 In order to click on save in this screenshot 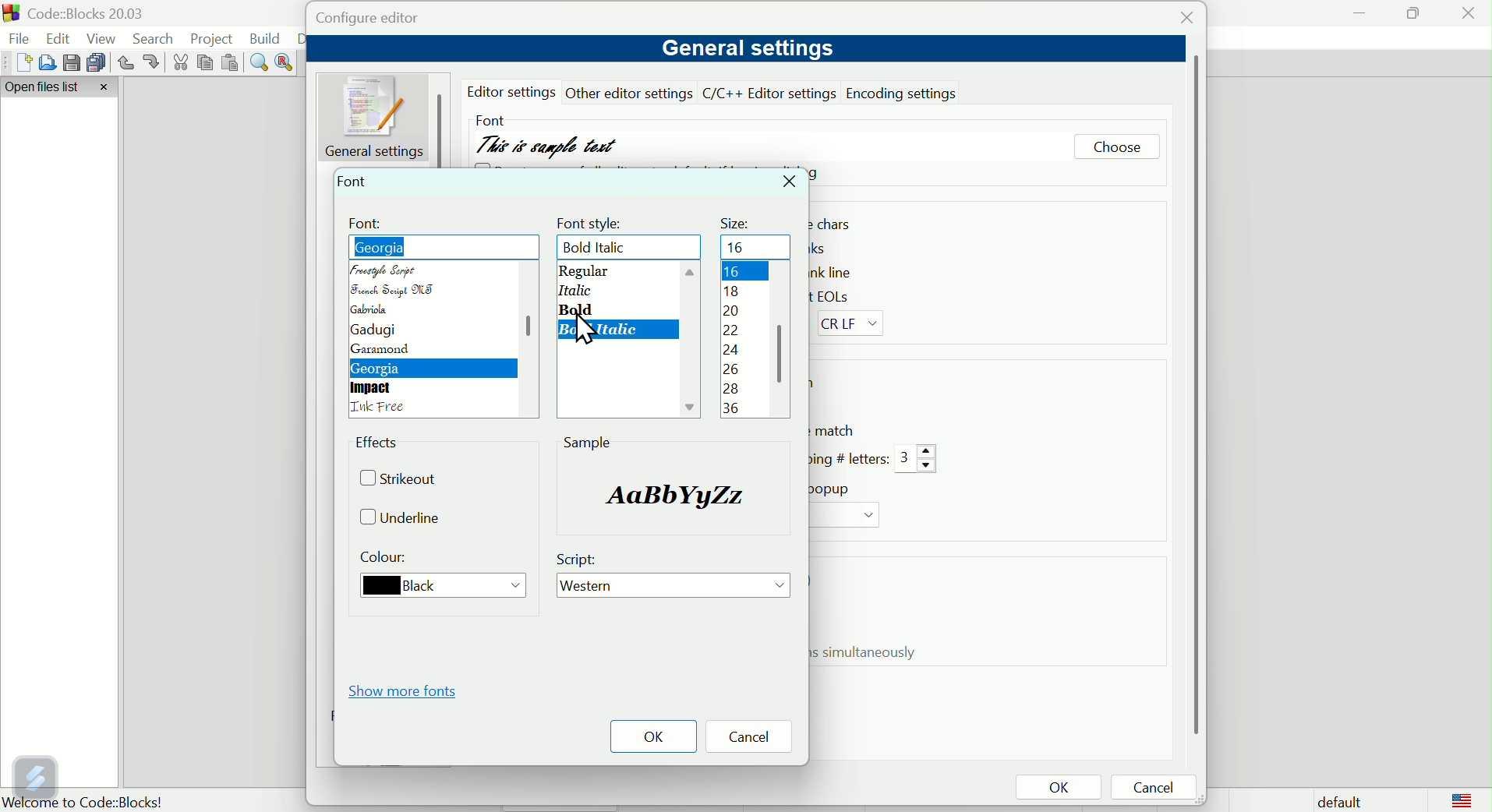, I will do `click(69, 61)`.